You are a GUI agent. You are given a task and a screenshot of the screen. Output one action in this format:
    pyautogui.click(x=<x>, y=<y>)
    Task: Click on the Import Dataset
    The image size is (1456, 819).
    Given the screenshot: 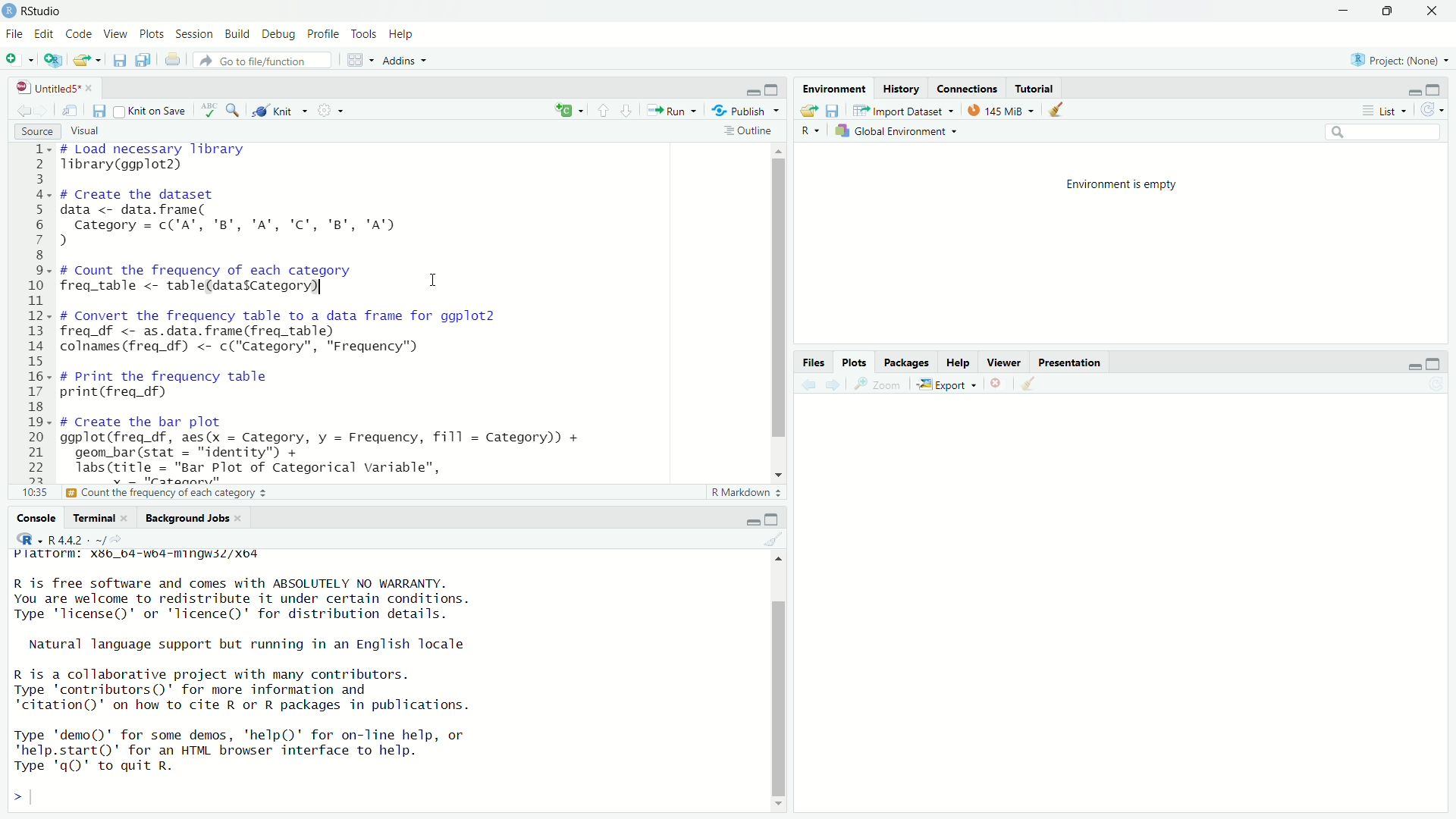 What is the action you would take?
    pyautogui.click(x=900, y=111)
    